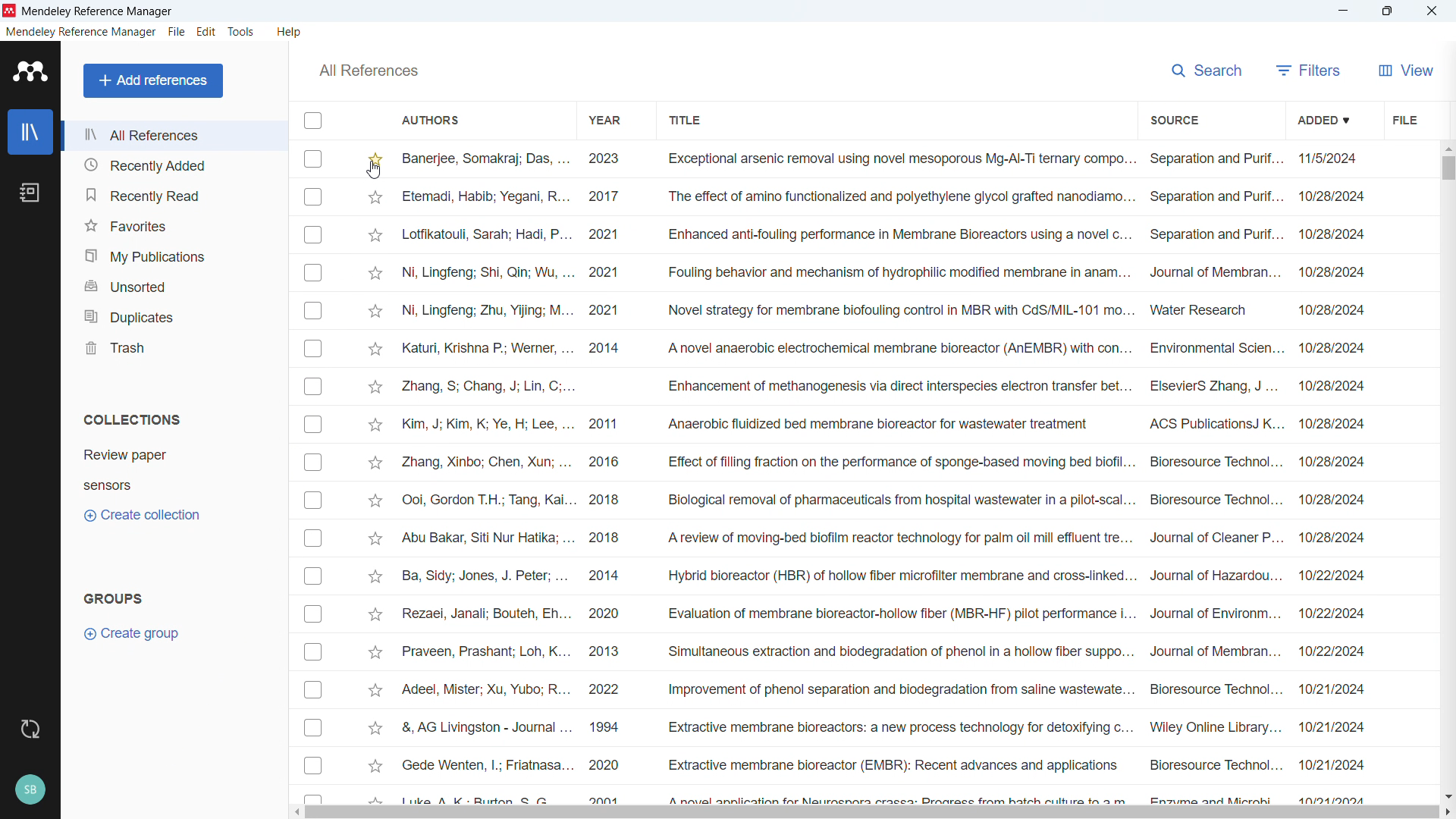 Image resolution: width=1456 pixels, height=819 pixels. Describe the element at coordinates (1448, 169) in the screenshot. I see `Vertical scroll bar ` at that location.